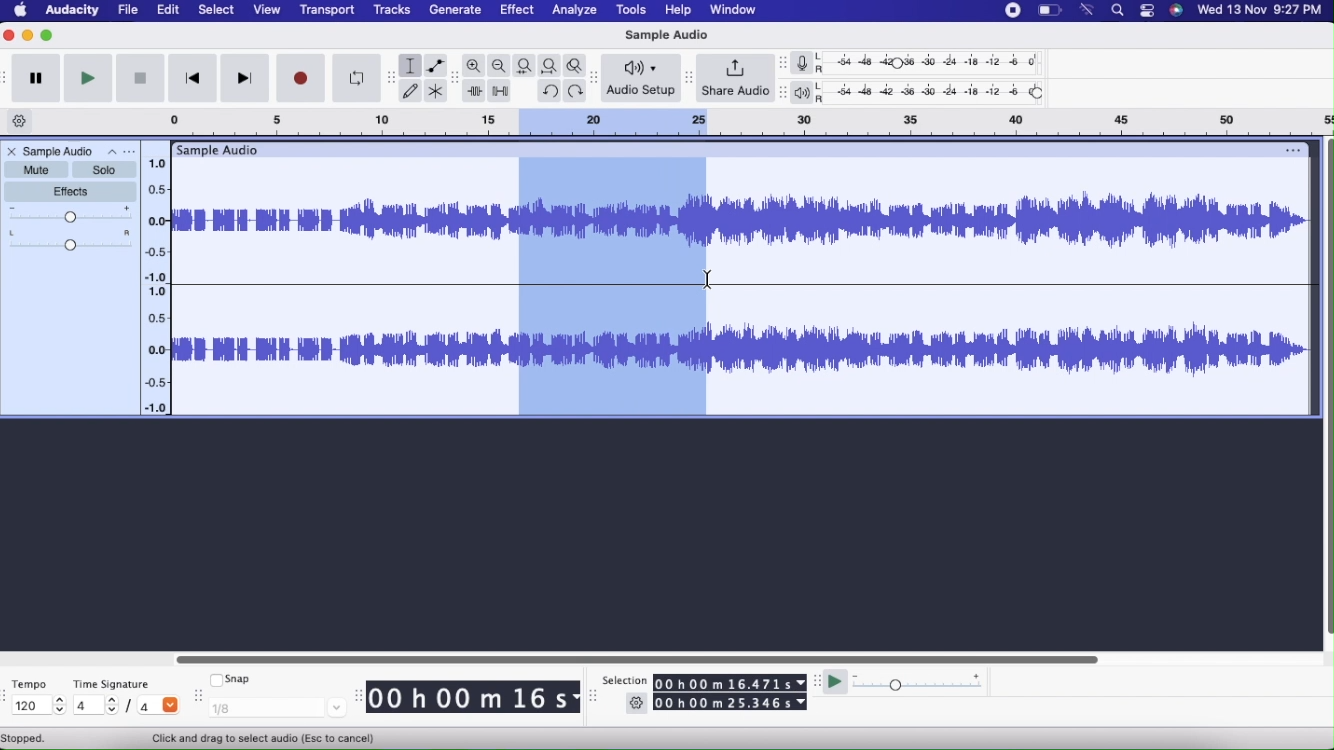 The image size is (1334, 750). What do you see at coordinates (11, 153) in the screenshot?
I see `Close` at bounding box center [11, 153].